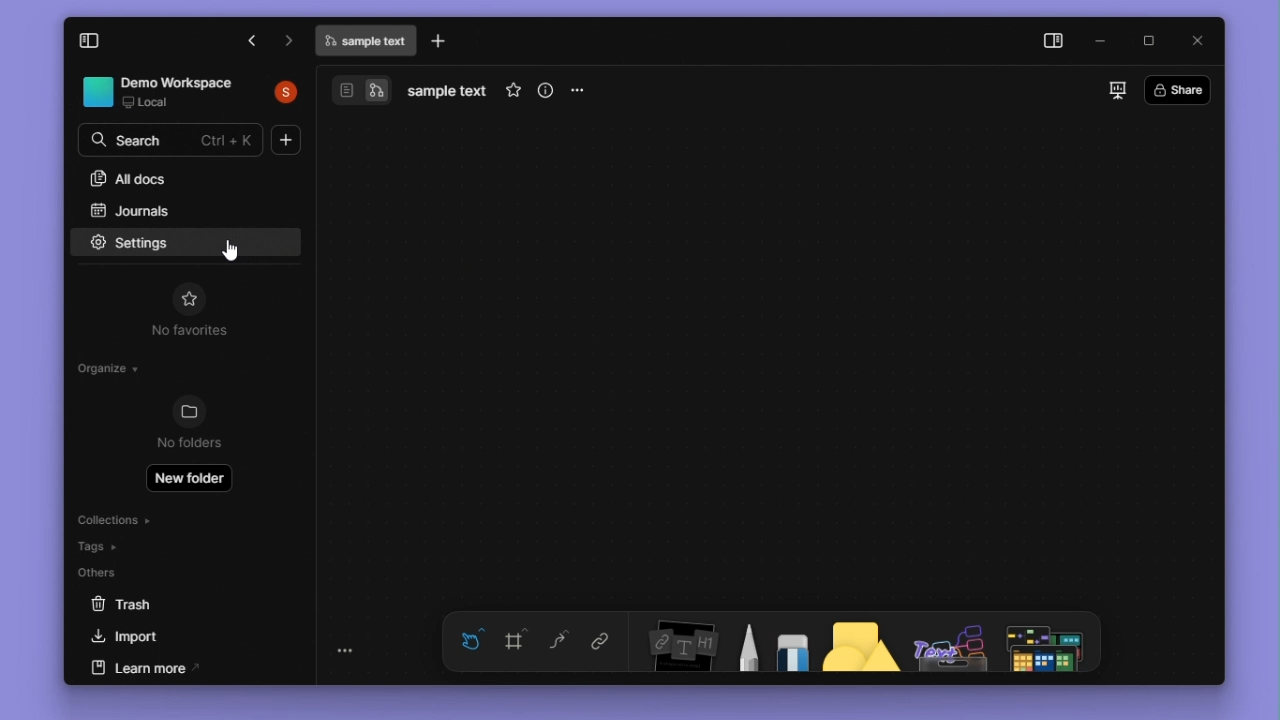 The width and height of the screenshot is (1280, 720). Describe the element at coordinates (345, 651) in the screenshot. I see `toogle zoom bar` at that location.